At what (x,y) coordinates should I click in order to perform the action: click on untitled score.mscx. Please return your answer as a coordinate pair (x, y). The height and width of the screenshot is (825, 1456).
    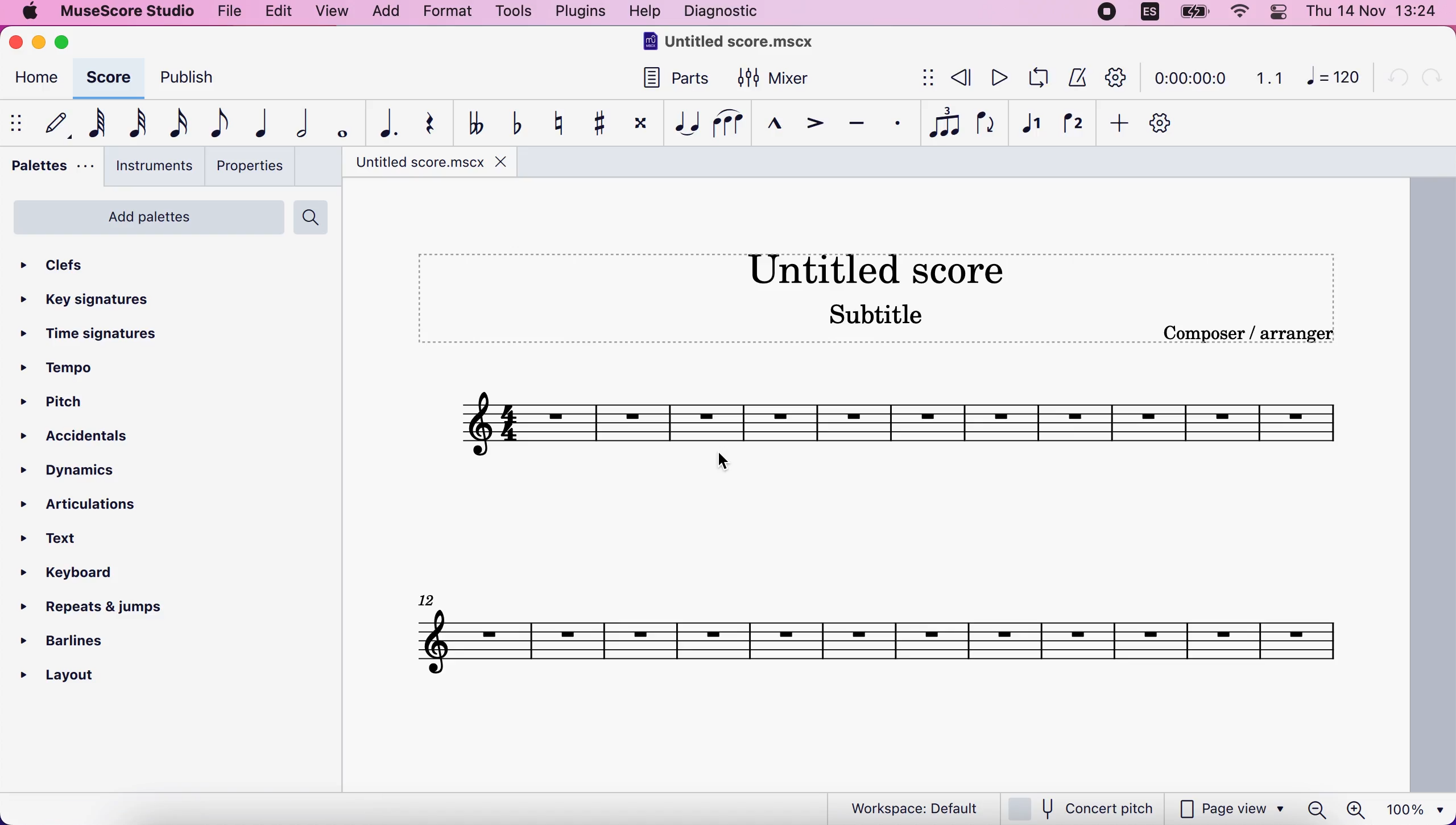
    Looking at the image, I should click on (443, 164).